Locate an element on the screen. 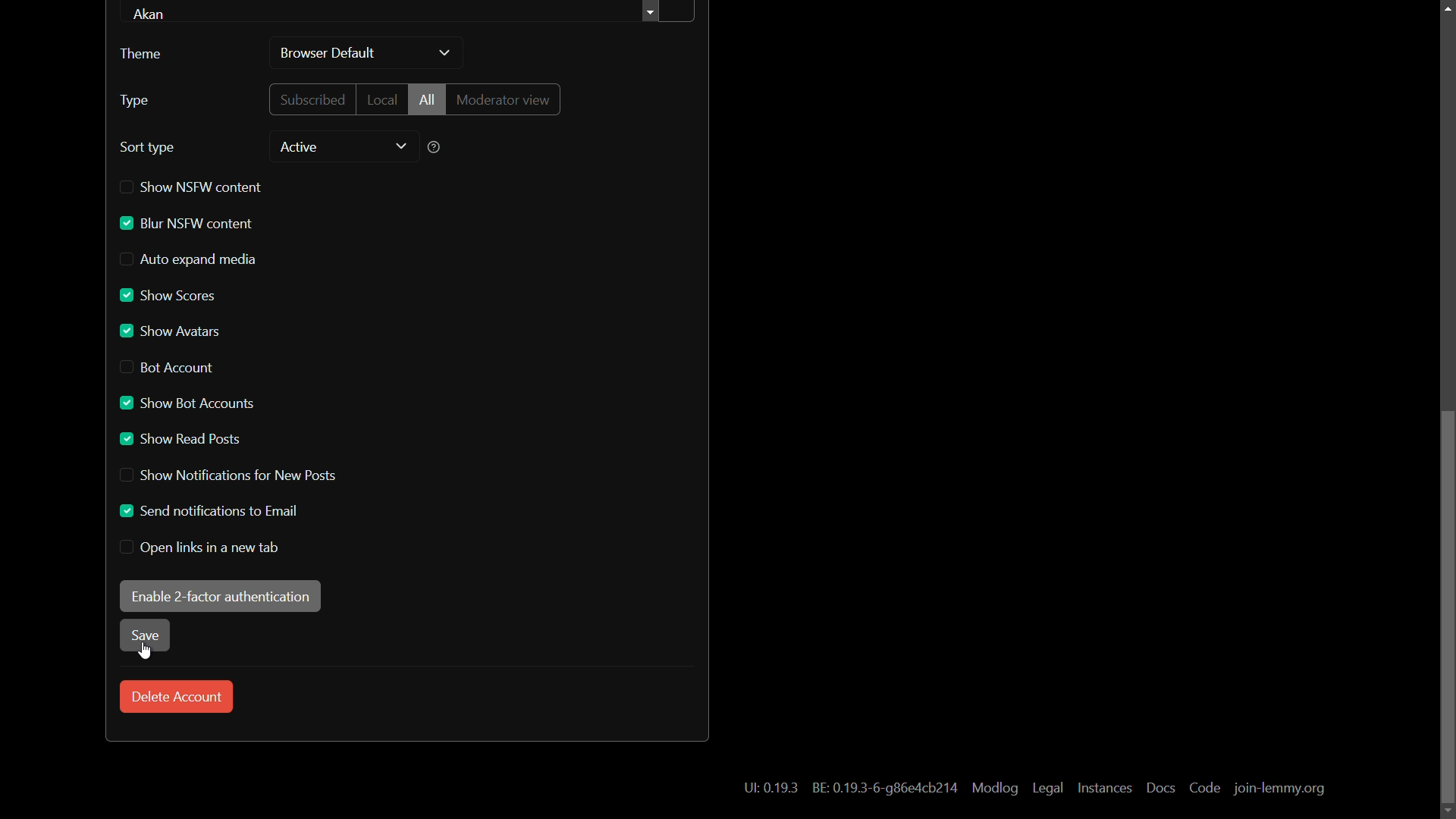  show bot accounts is located at coordinates (185, 403).